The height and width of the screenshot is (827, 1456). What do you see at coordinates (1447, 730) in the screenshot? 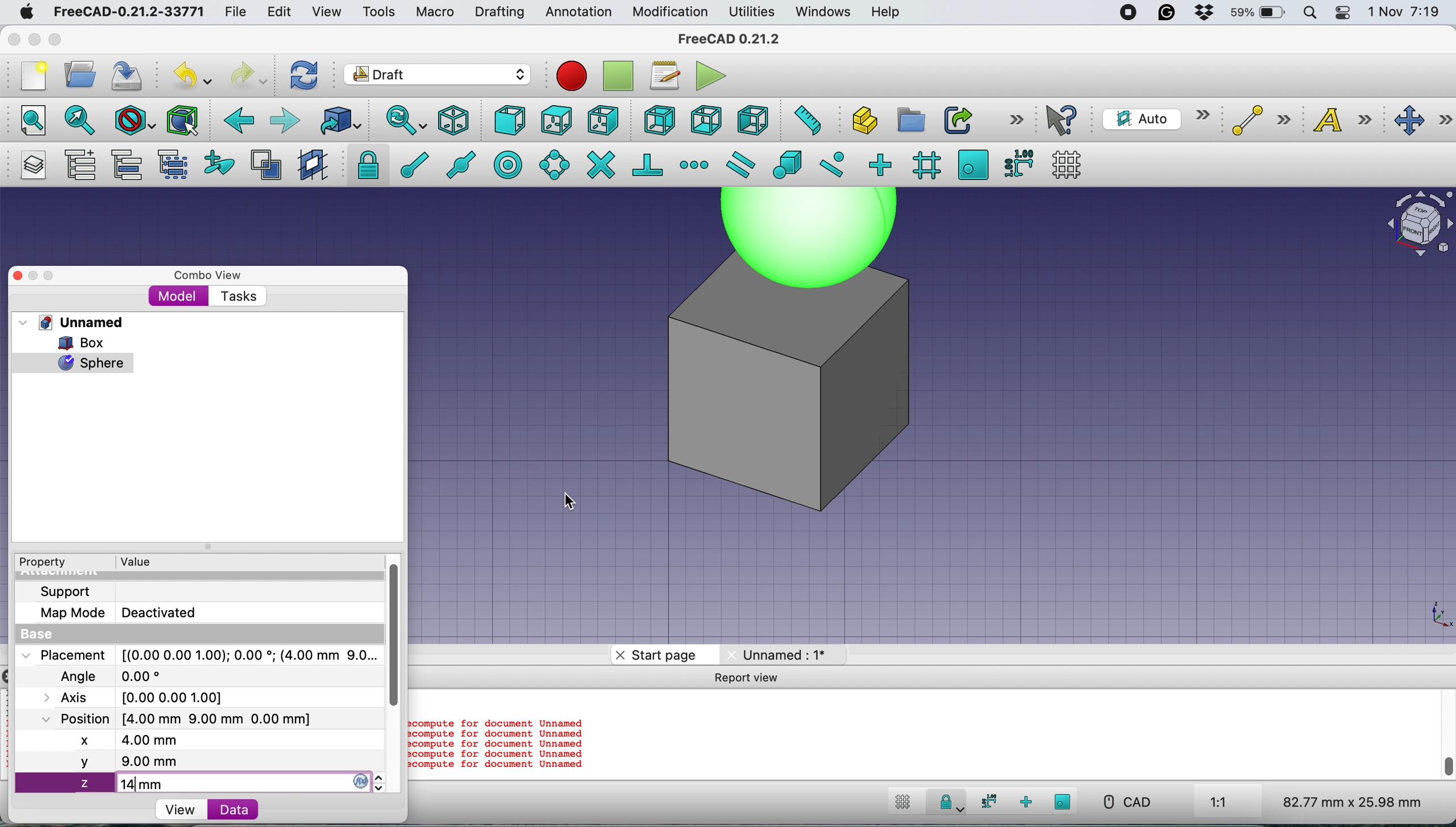
I see `scroll bar` at bounding box center [1447, 730].